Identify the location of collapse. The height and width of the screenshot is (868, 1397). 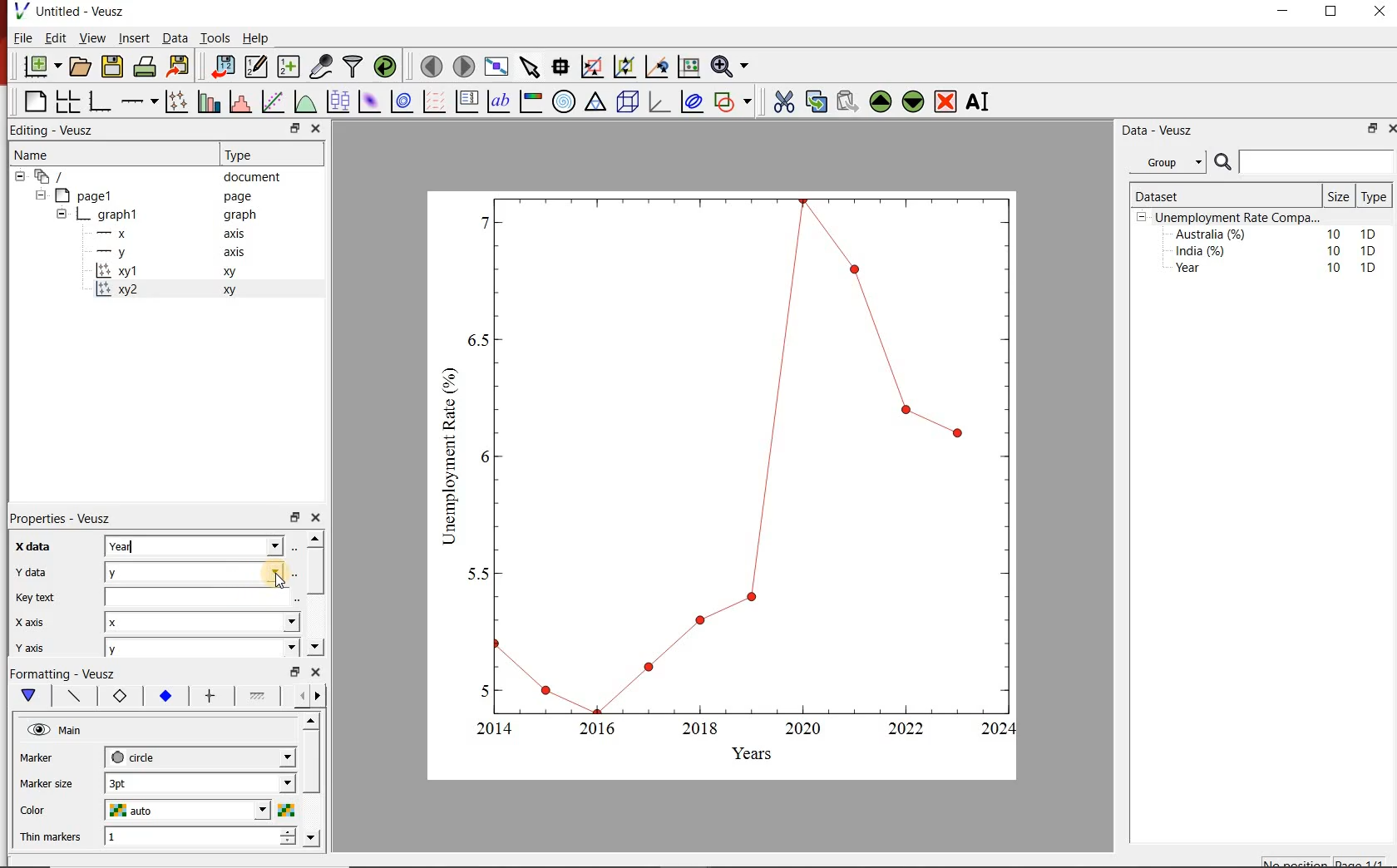
(19, 176).